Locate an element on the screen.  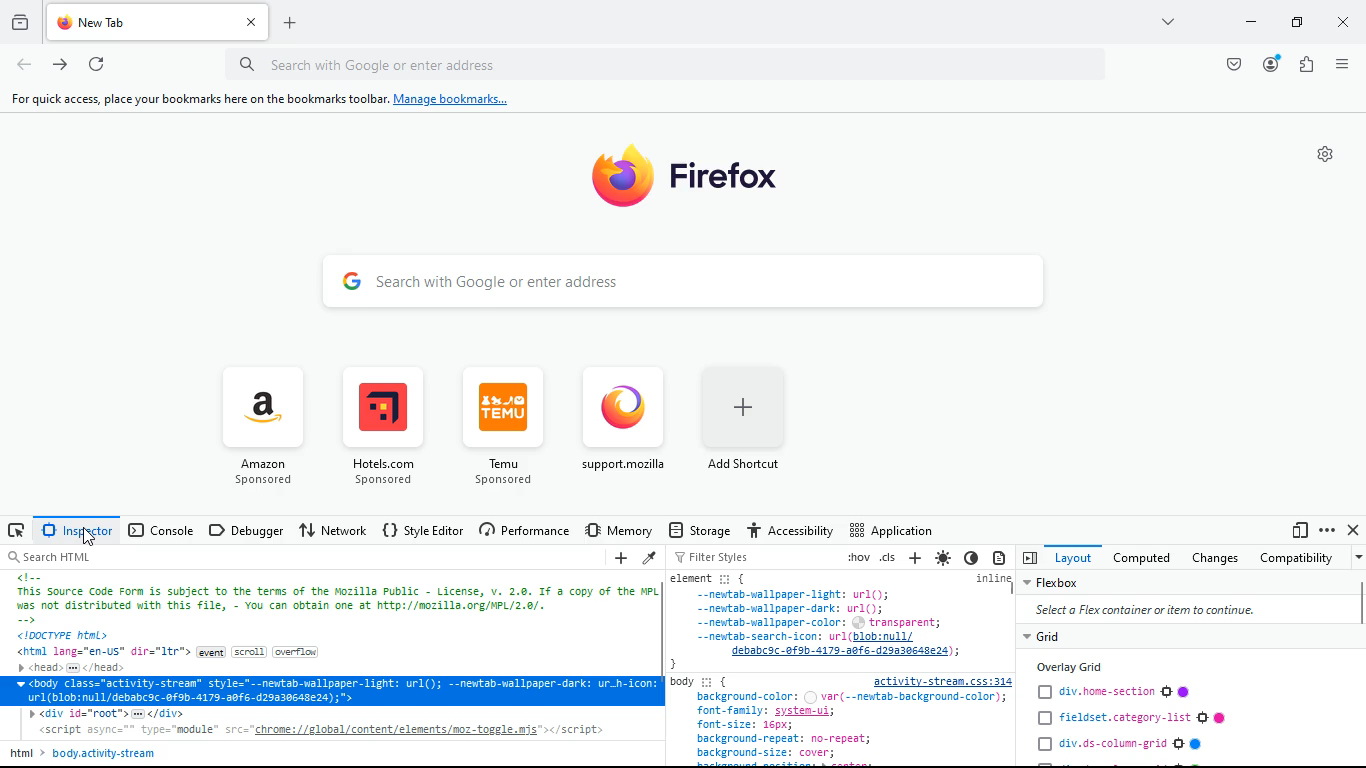
drop is located at coordinates (651, 558).